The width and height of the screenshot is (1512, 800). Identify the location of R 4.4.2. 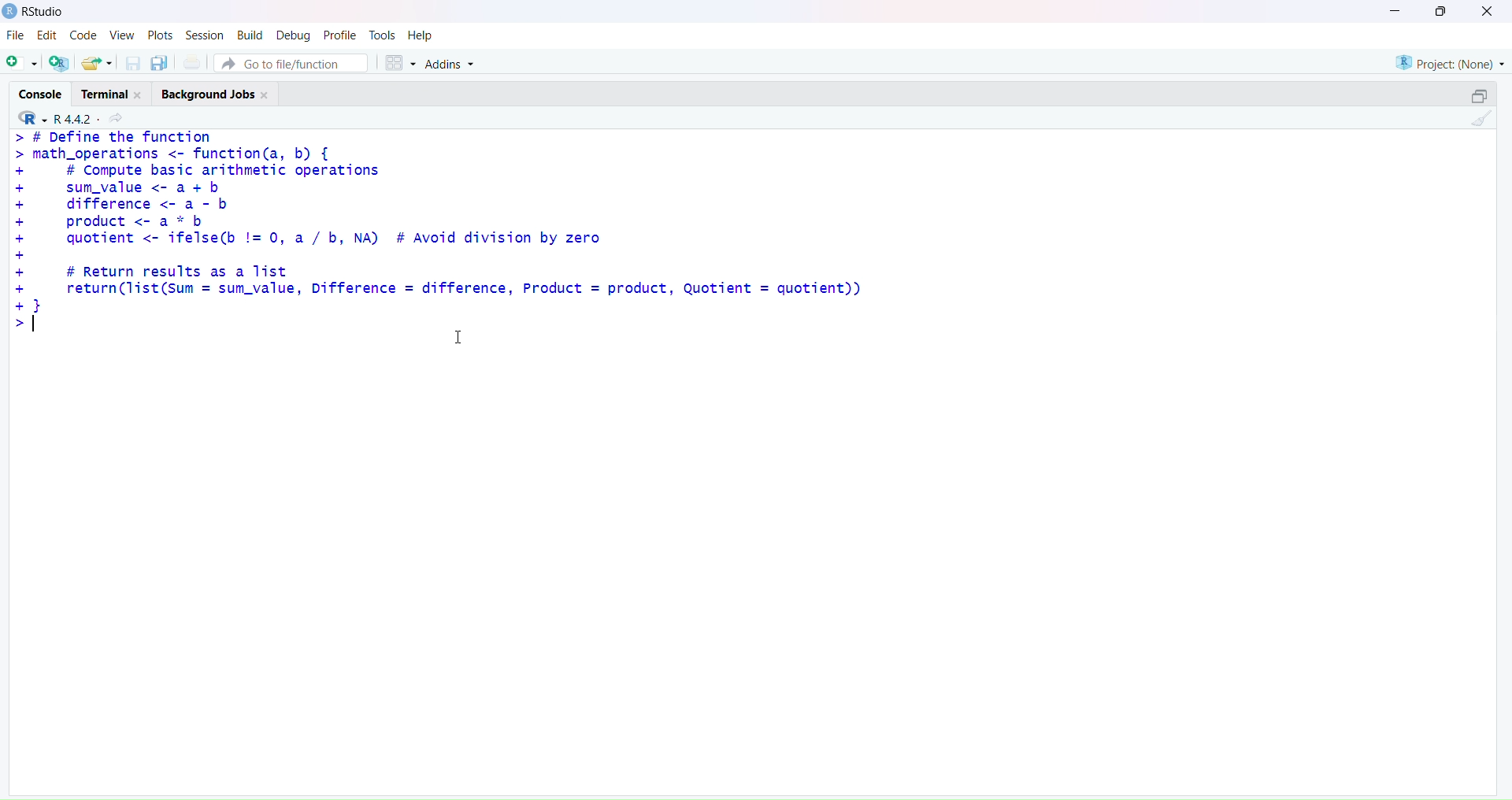
(72, 118).